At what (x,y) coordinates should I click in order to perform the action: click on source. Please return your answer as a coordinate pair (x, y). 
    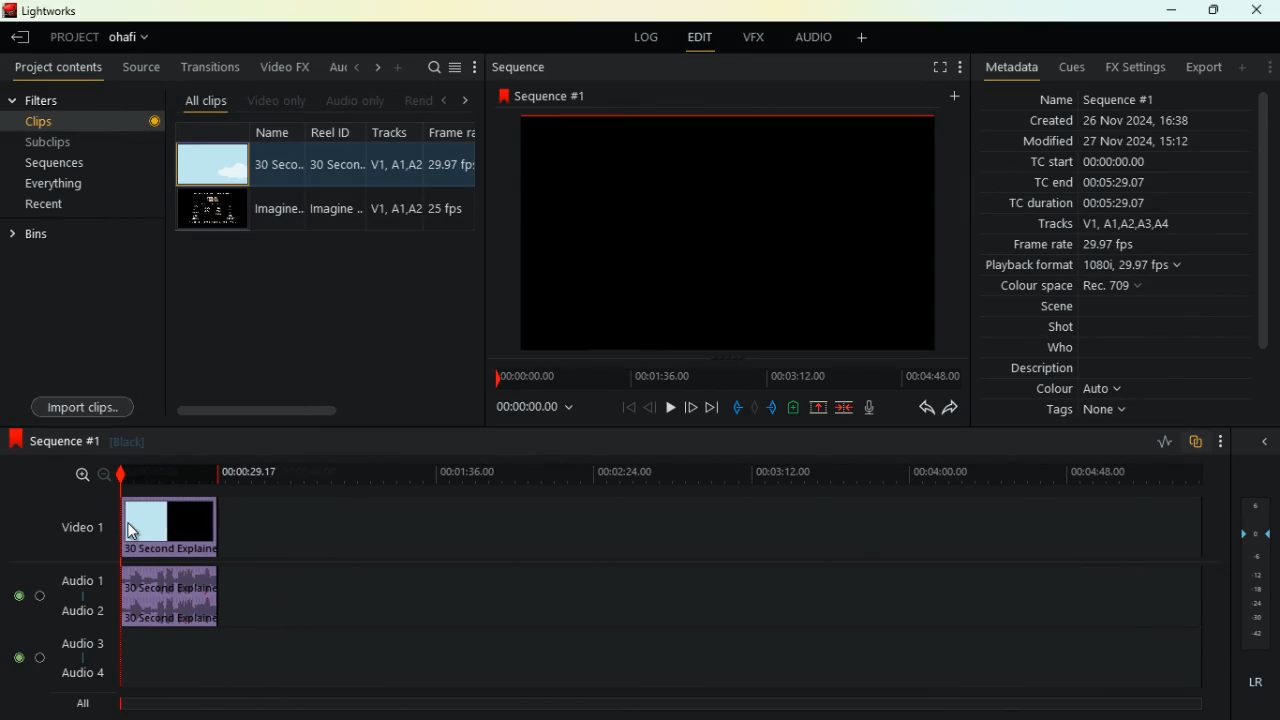
    Looking at the image, I should click on (144, 70).